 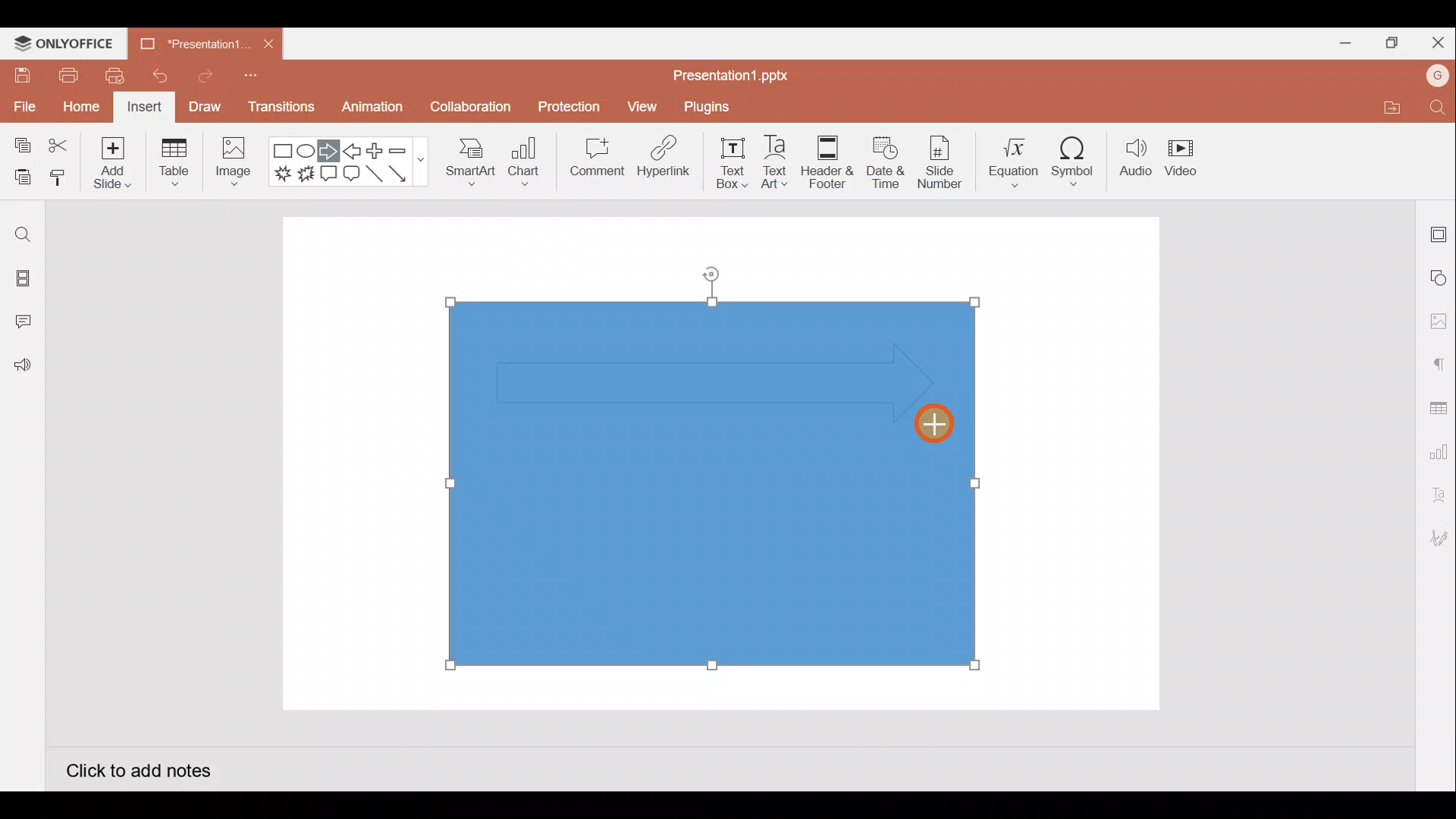 I want to click on Click to add notes, so click(x=138, y=769).